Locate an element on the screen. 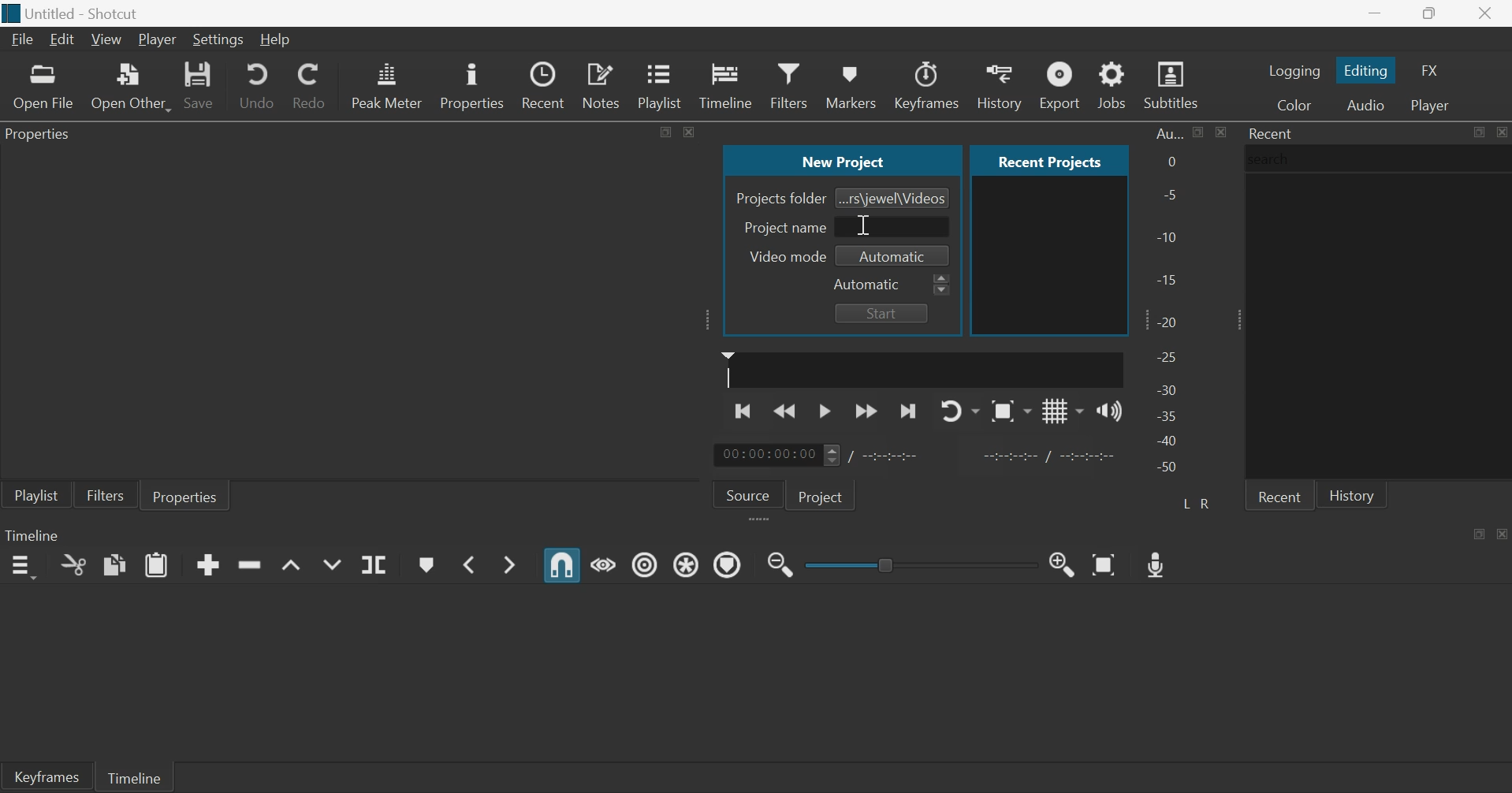  toggle zoom is located at coordinates (1011, 411).